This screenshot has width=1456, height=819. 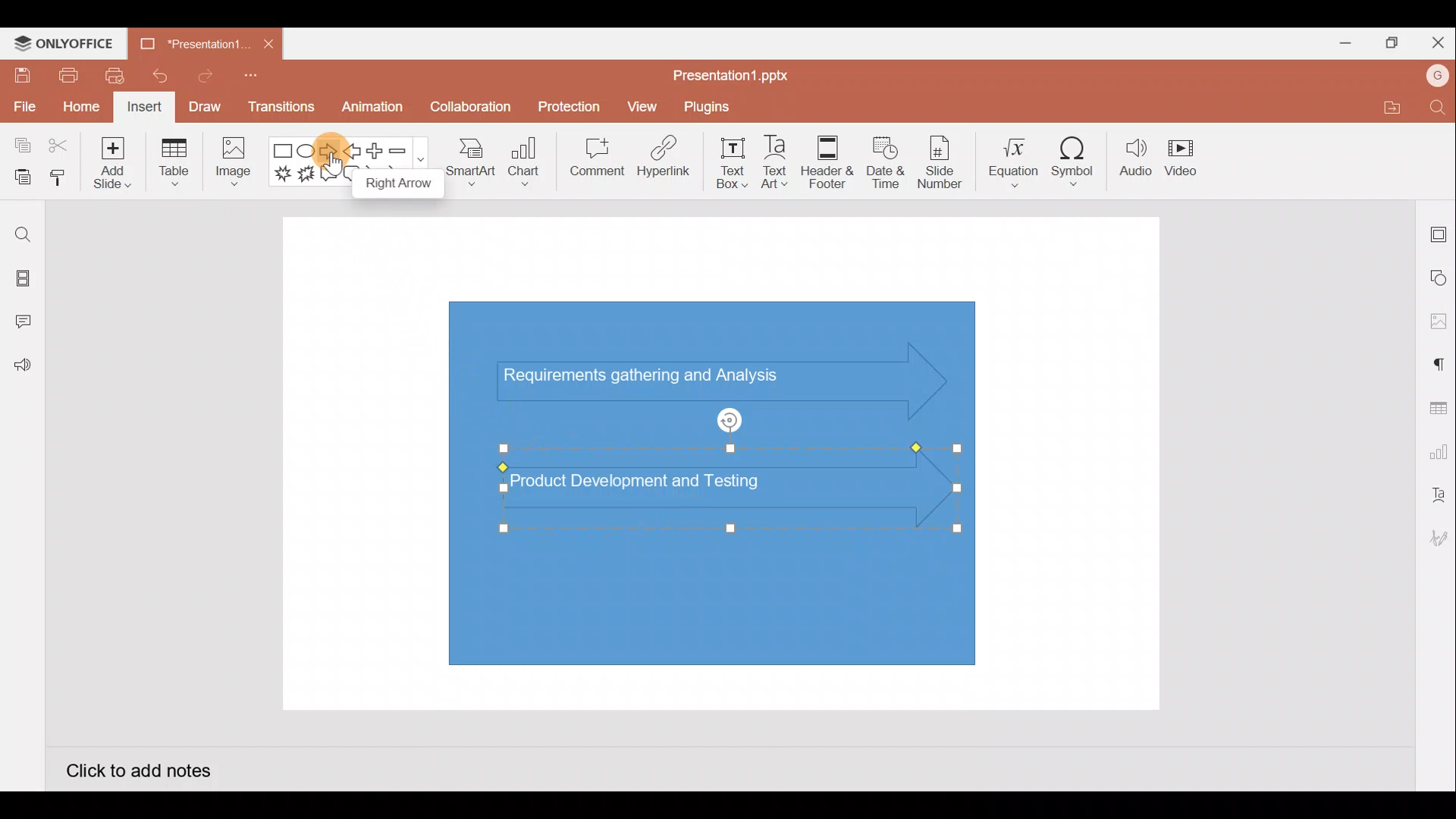 I want to click on Presentation1., so click(x=193, y=41).